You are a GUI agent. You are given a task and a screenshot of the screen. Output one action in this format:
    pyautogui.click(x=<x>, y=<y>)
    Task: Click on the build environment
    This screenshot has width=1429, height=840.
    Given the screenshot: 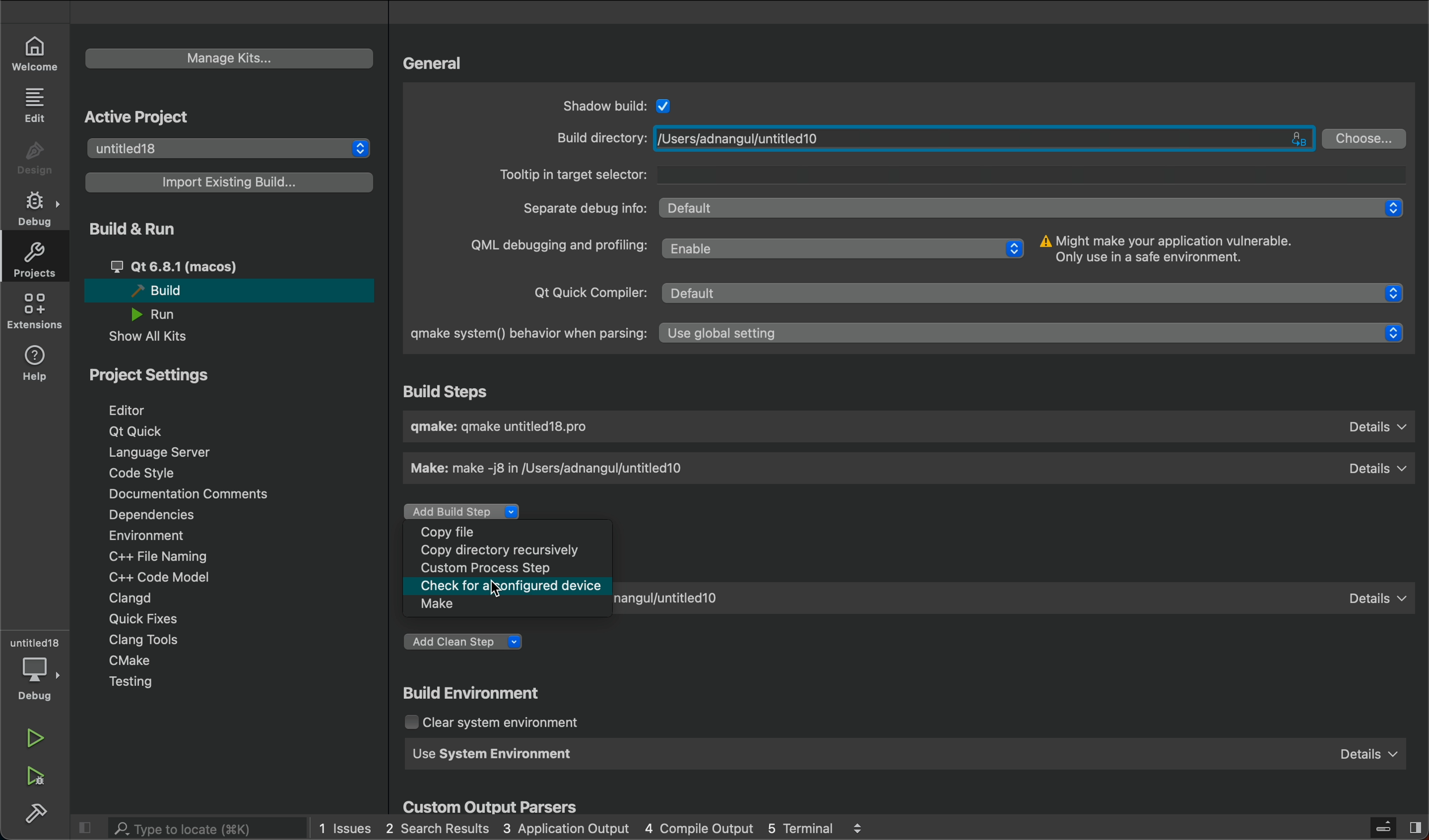 What is the action you would take?
    pyautogui.click(x=472, y=694)
    